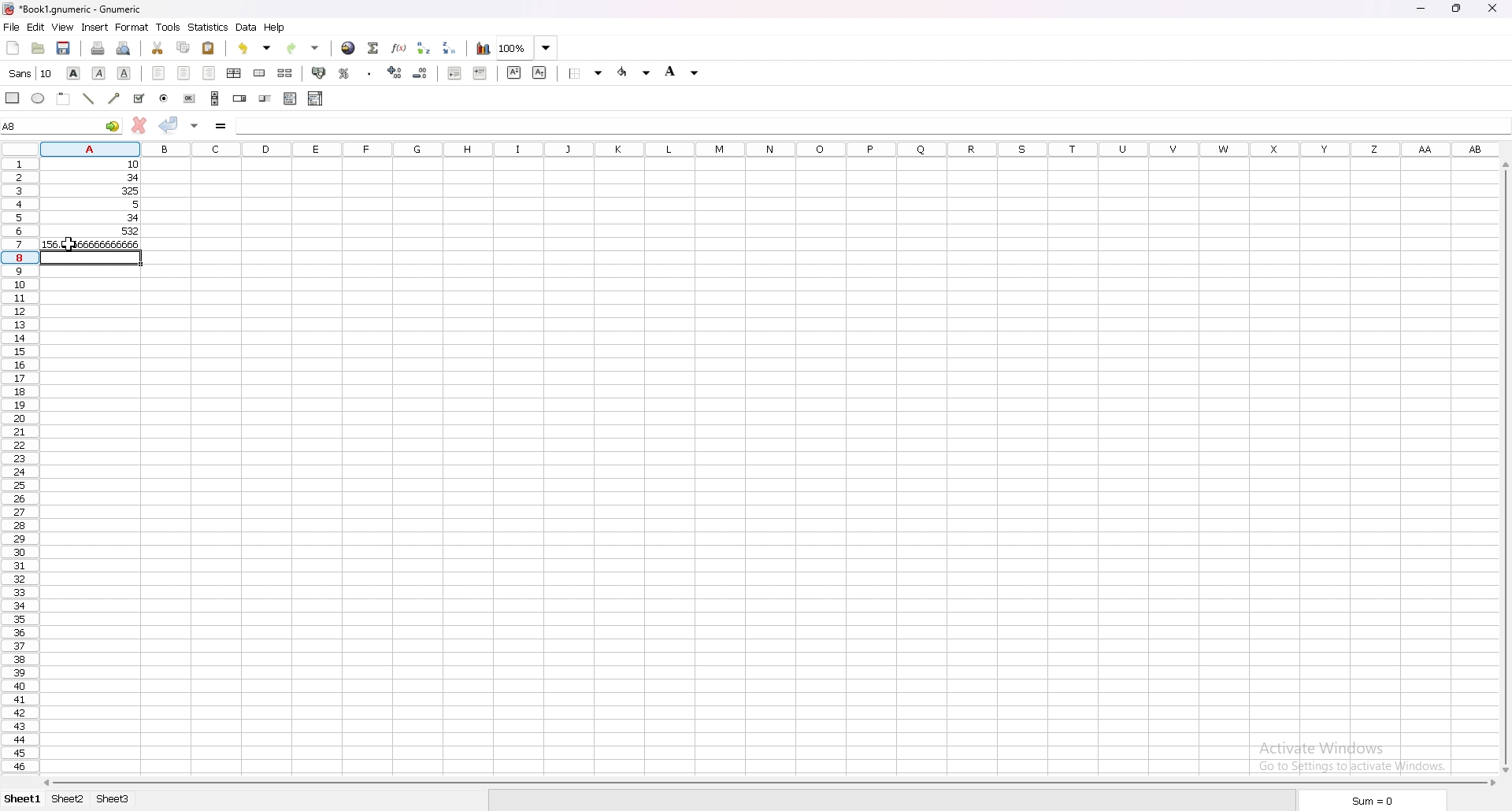  What do you see at coordinates (168, 124) in the screenshot?
I see `accept changes` at bounding box center [168, 124].